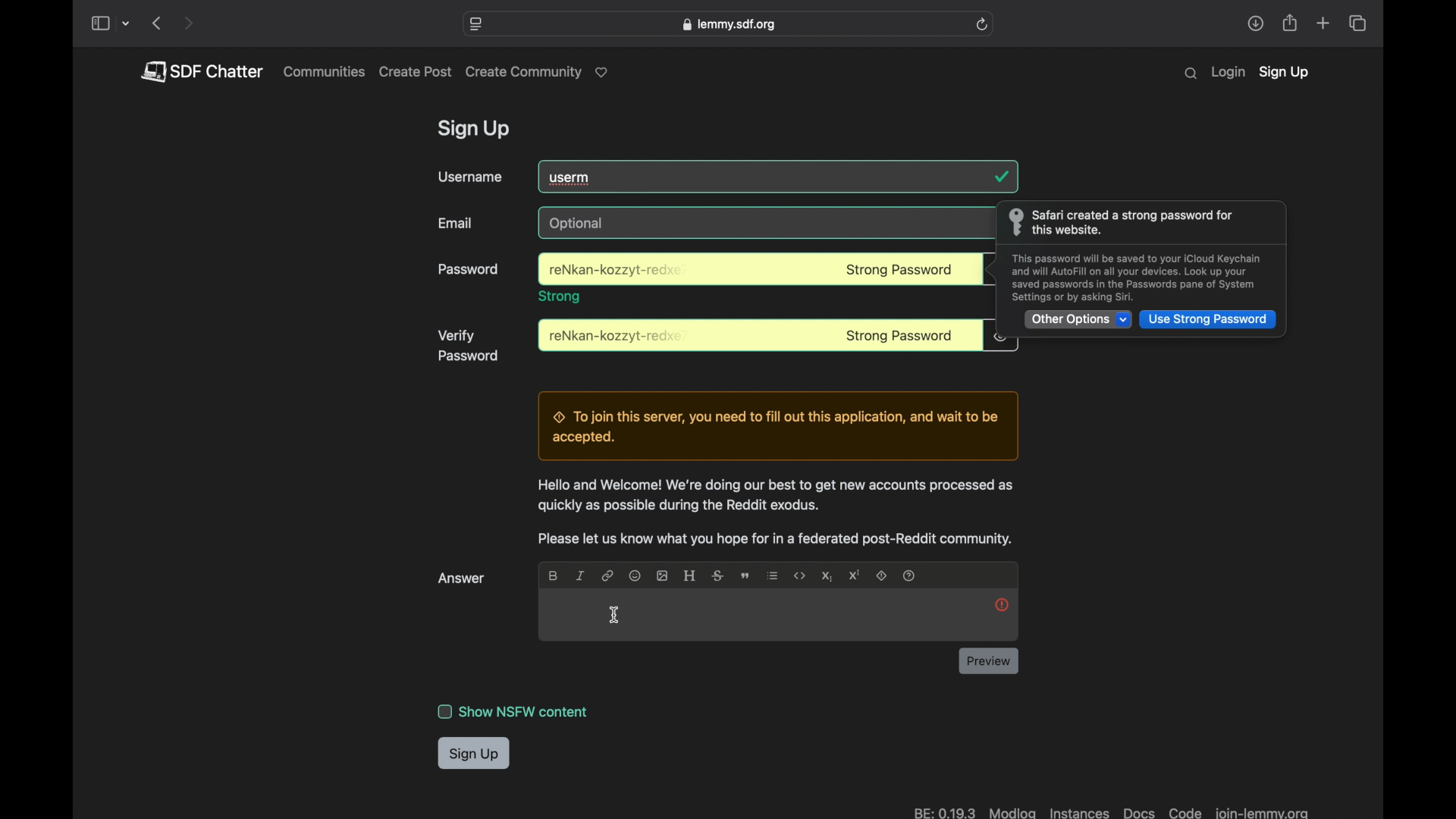 Image resolution: width=1456 pixels, height=819 pixels. I want to click on Server joining notification, so click(777, 426).